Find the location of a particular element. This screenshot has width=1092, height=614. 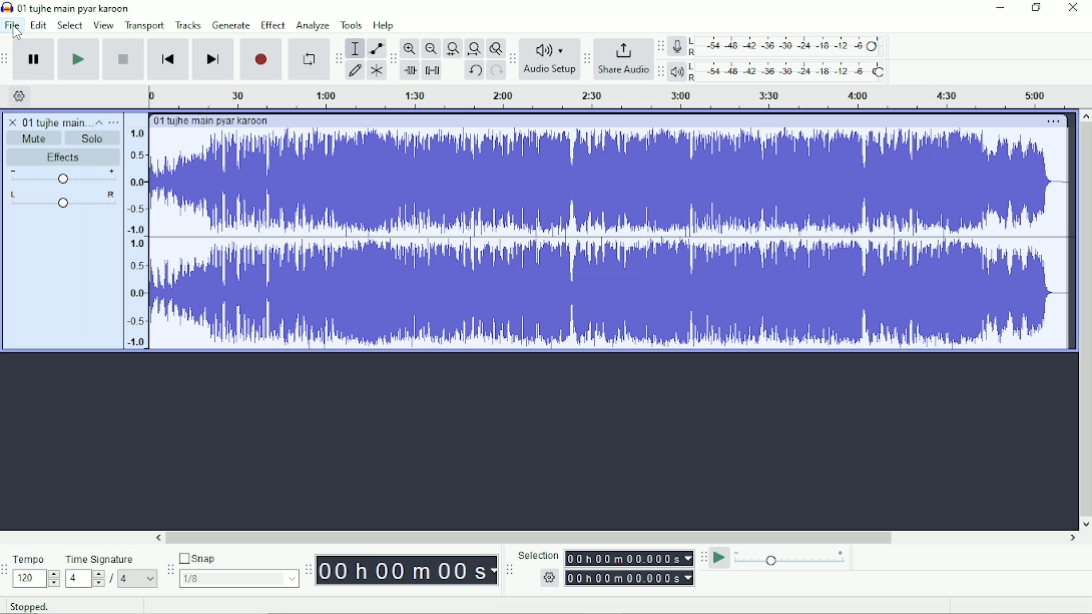

Audacity audio setup toolbar is located at coordinates (512, 58).